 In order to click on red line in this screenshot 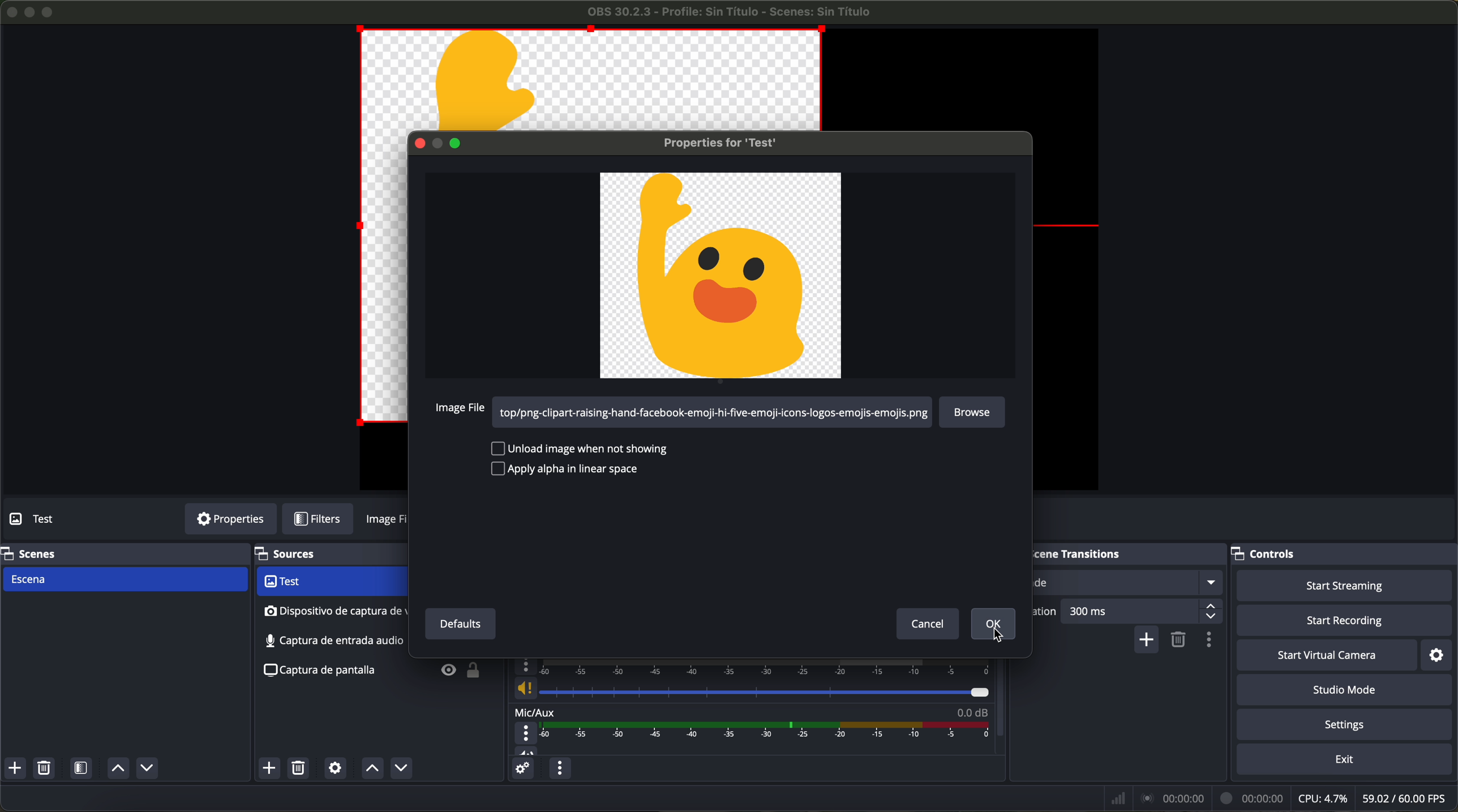, I will do `click(1070, 226)`.